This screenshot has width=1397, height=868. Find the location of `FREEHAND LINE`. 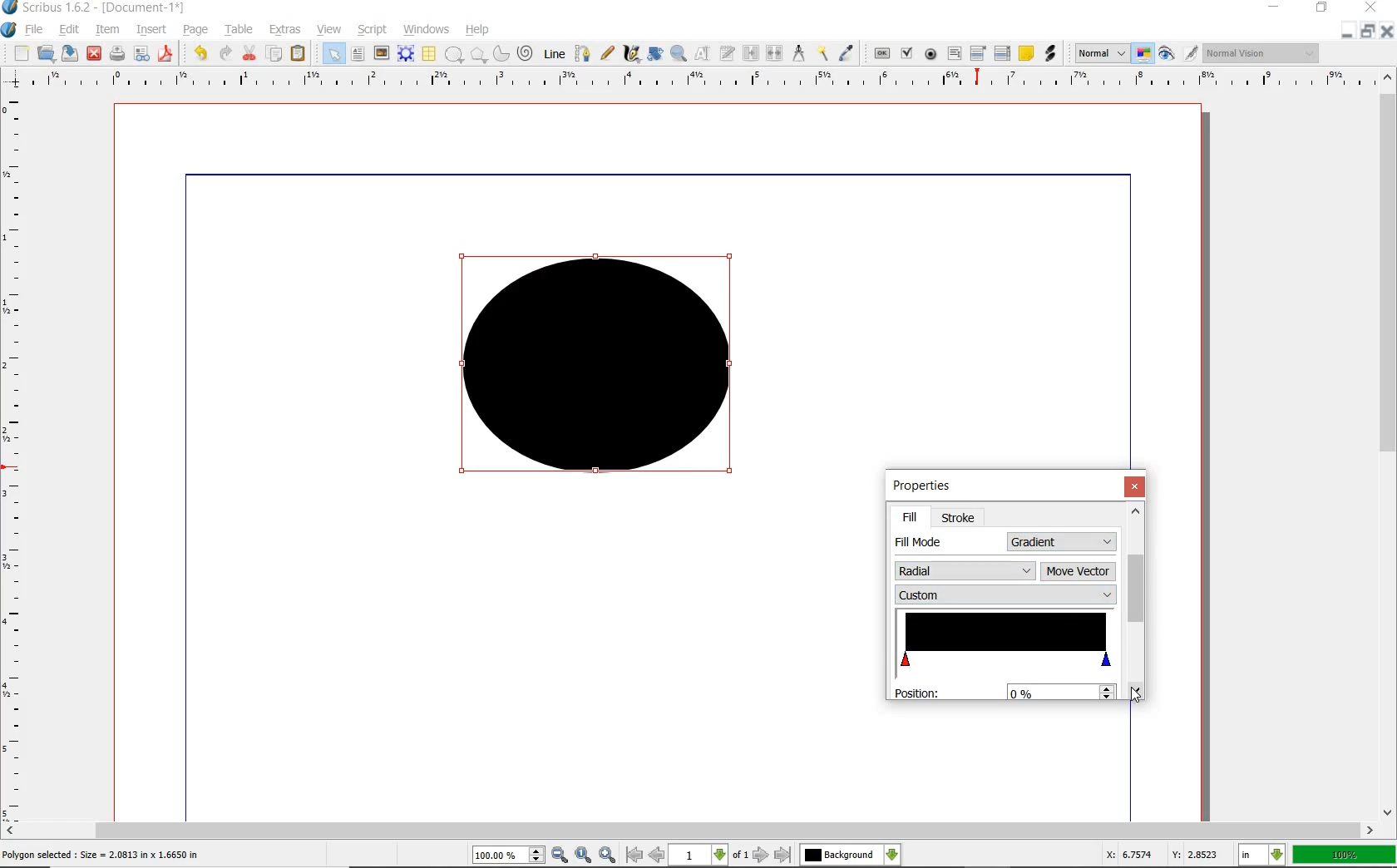

FREEHAND LINE is located at coordinates (608, 52).